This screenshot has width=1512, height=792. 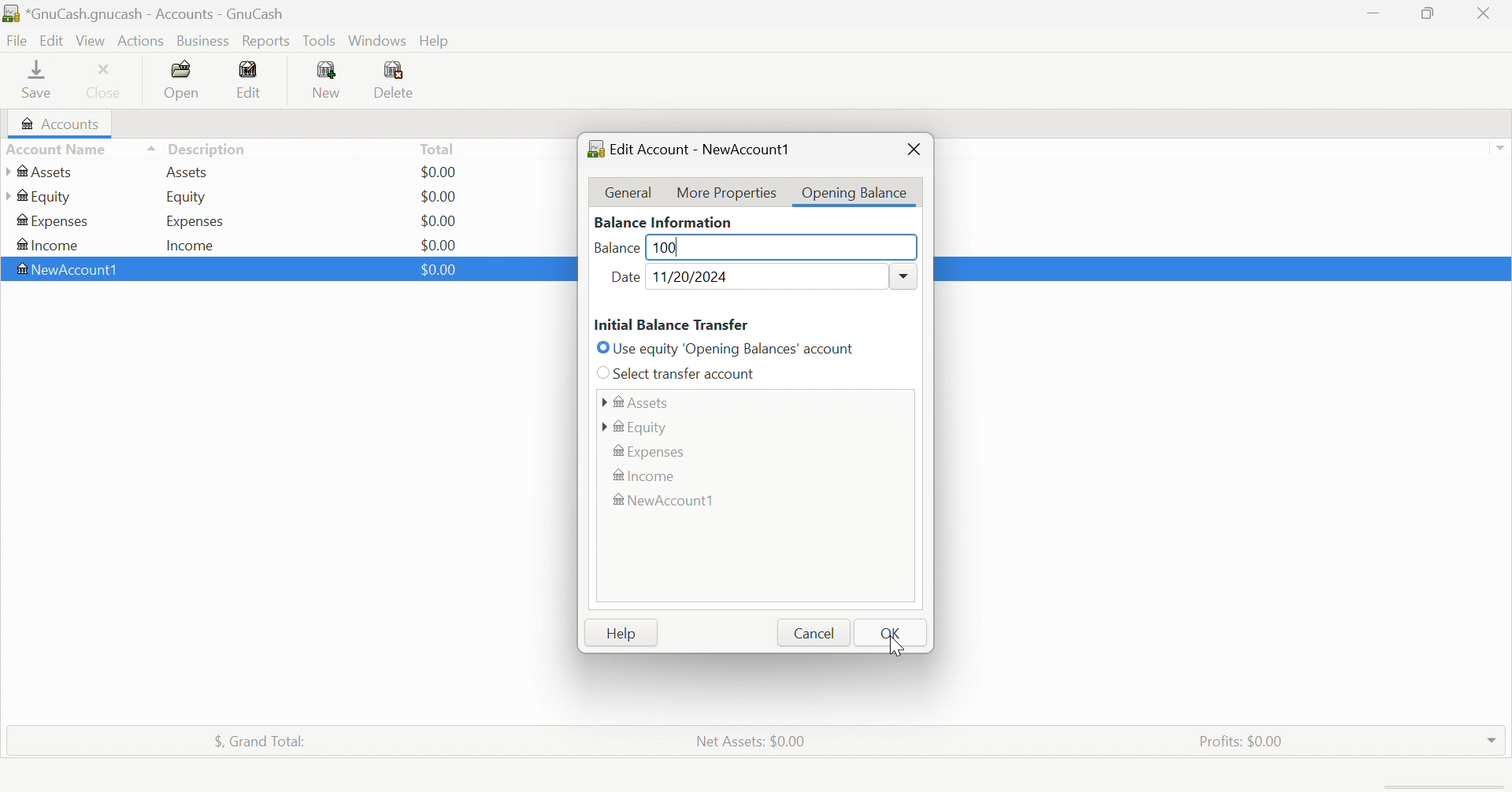 What do you see at coordinates (405, 80) in the screenshot?
I see `Delete` at bounding box center [405, 80].